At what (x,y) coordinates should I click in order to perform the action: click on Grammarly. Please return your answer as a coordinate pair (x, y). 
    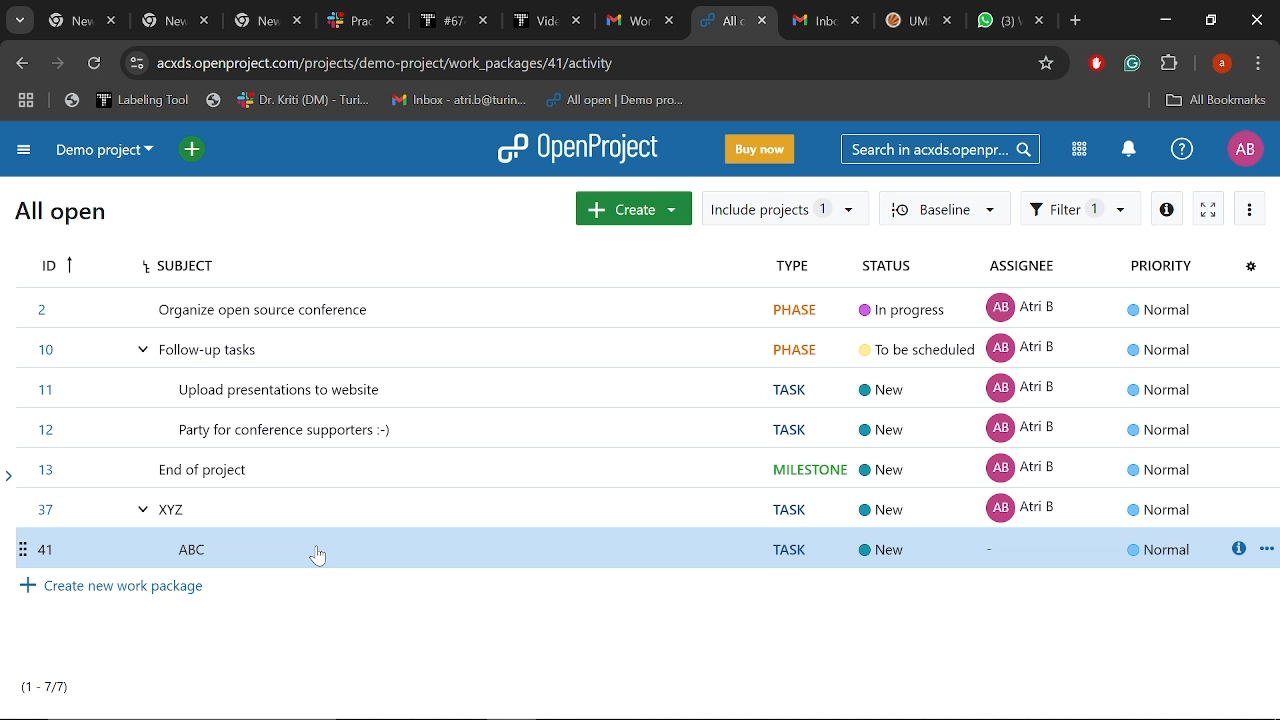
    Looking at the image, I should click on (1132, 65).